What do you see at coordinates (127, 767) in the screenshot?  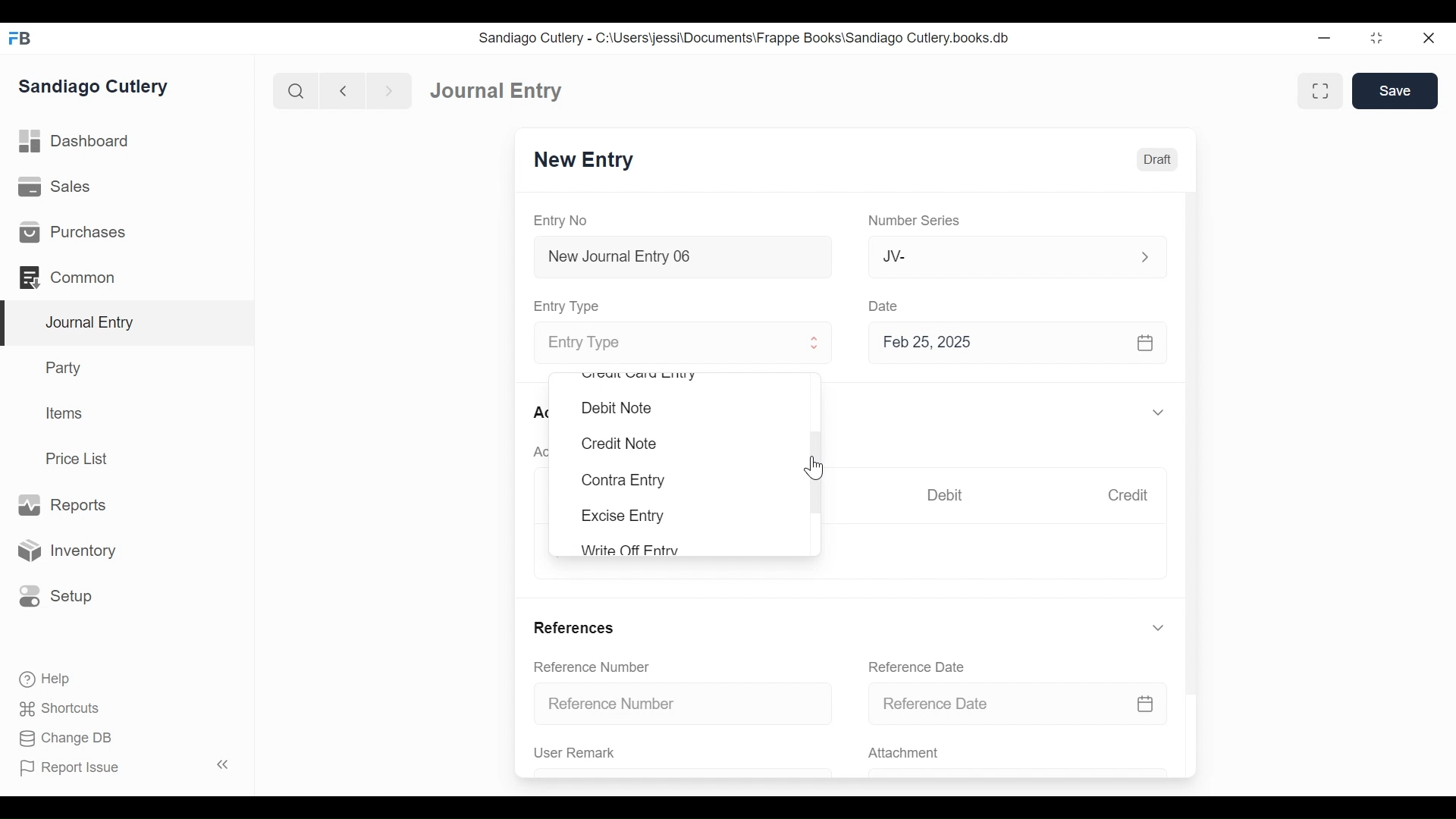 I see `Report Issue` at bounding box center [127, 767].